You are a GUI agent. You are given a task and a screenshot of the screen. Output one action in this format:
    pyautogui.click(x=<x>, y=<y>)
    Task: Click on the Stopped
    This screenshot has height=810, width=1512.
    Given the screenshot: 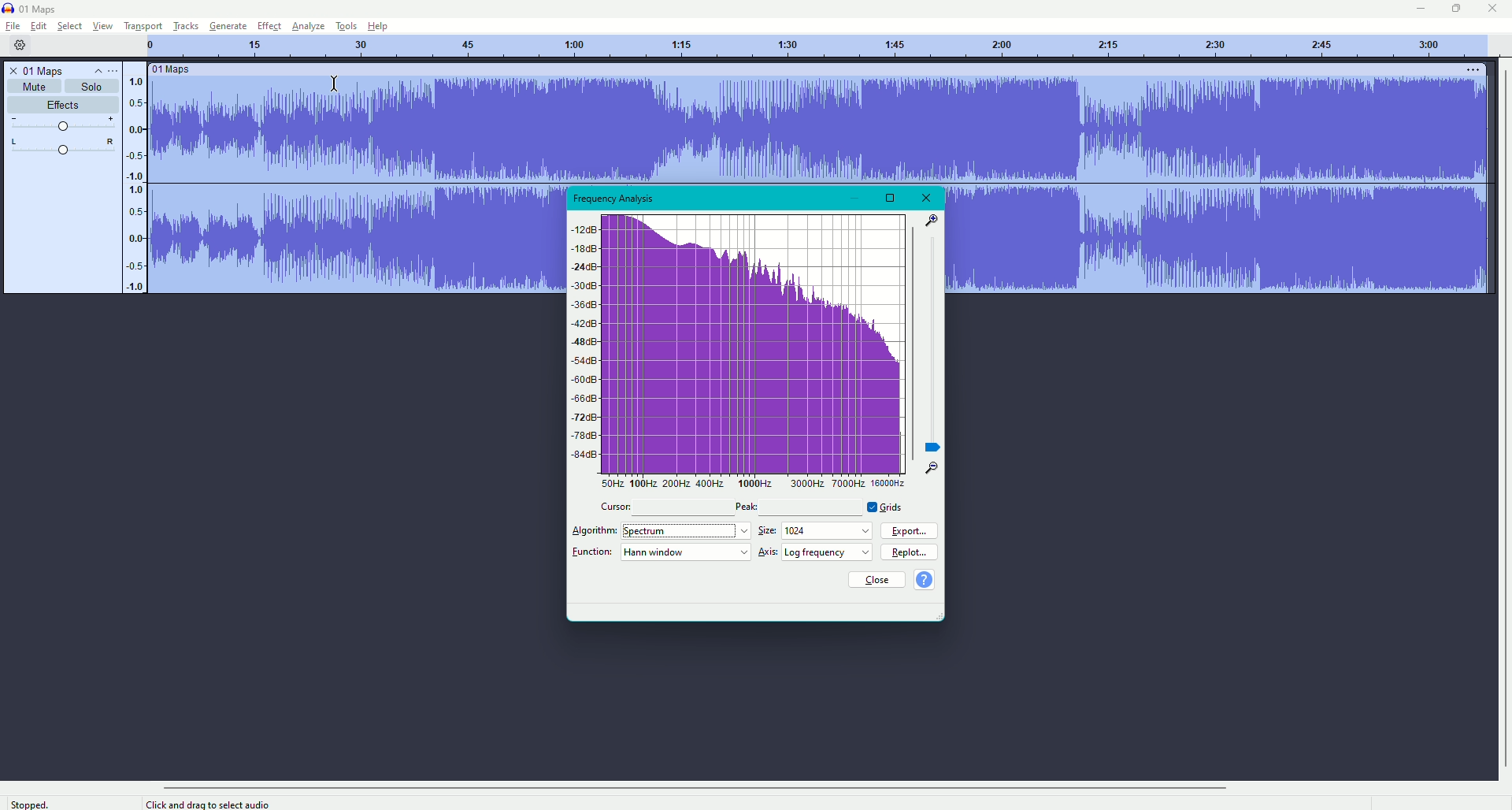 What is the action you would take?
    pyautogui.click(x=28, y=802)
    